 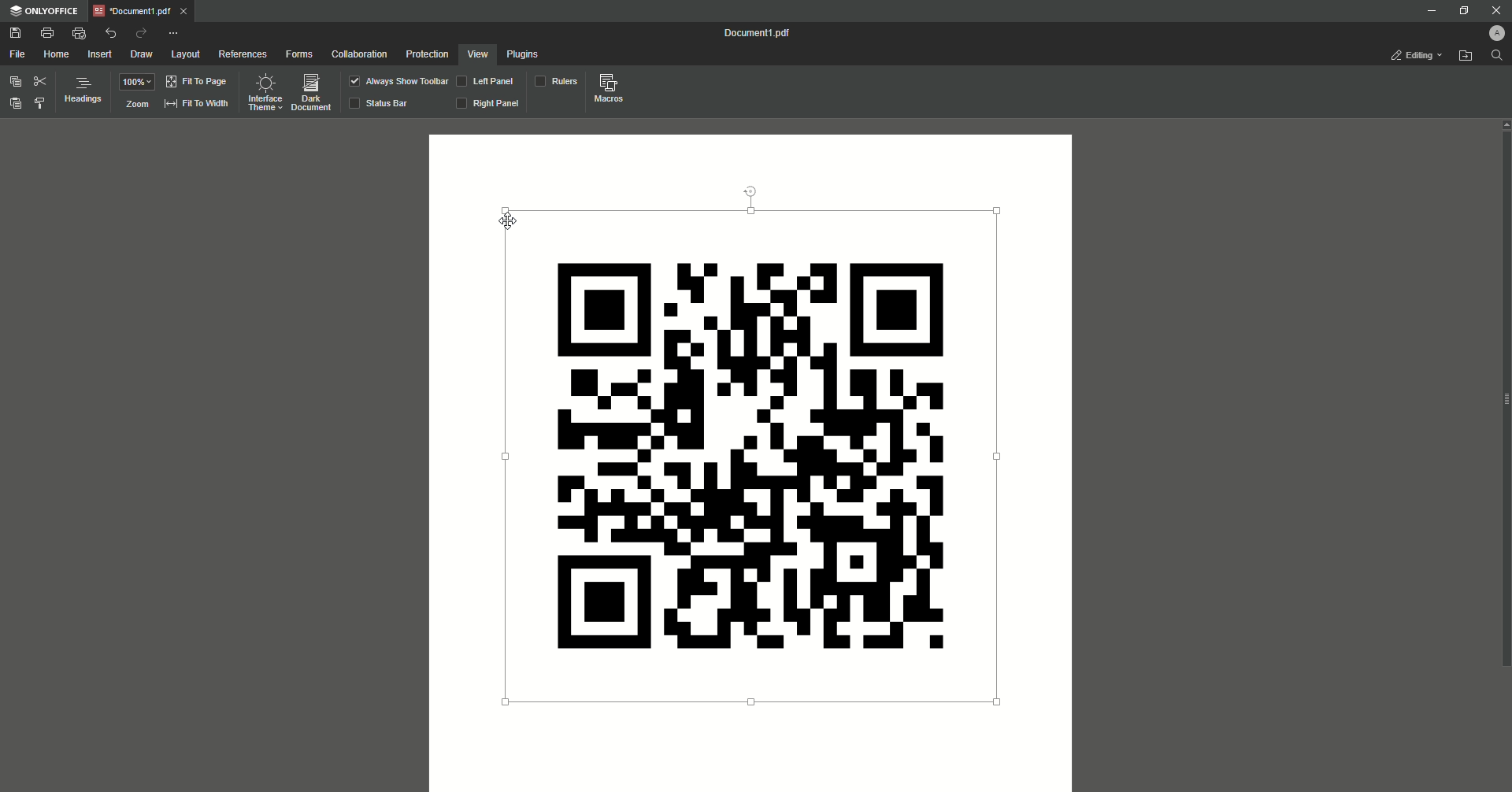 I want to click on cursor, so click(x=504, y=217).